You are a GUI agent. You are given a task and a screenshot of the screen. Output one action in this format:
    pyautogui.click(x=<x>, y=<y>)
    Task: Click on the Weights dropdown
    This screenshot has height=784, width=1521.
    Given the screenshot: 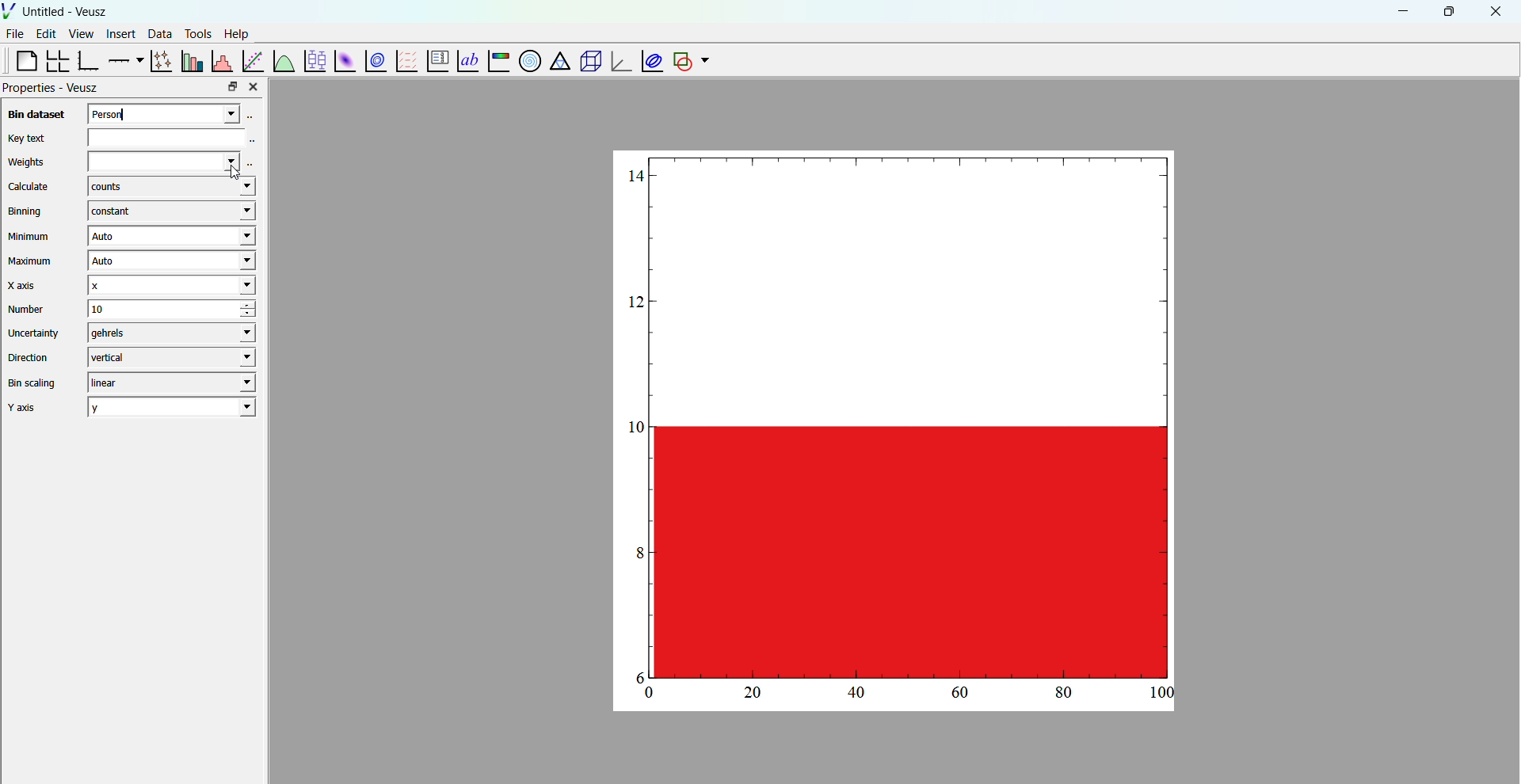 What is the action you would take?
    pyautogui.click(x=161, y=161)
    